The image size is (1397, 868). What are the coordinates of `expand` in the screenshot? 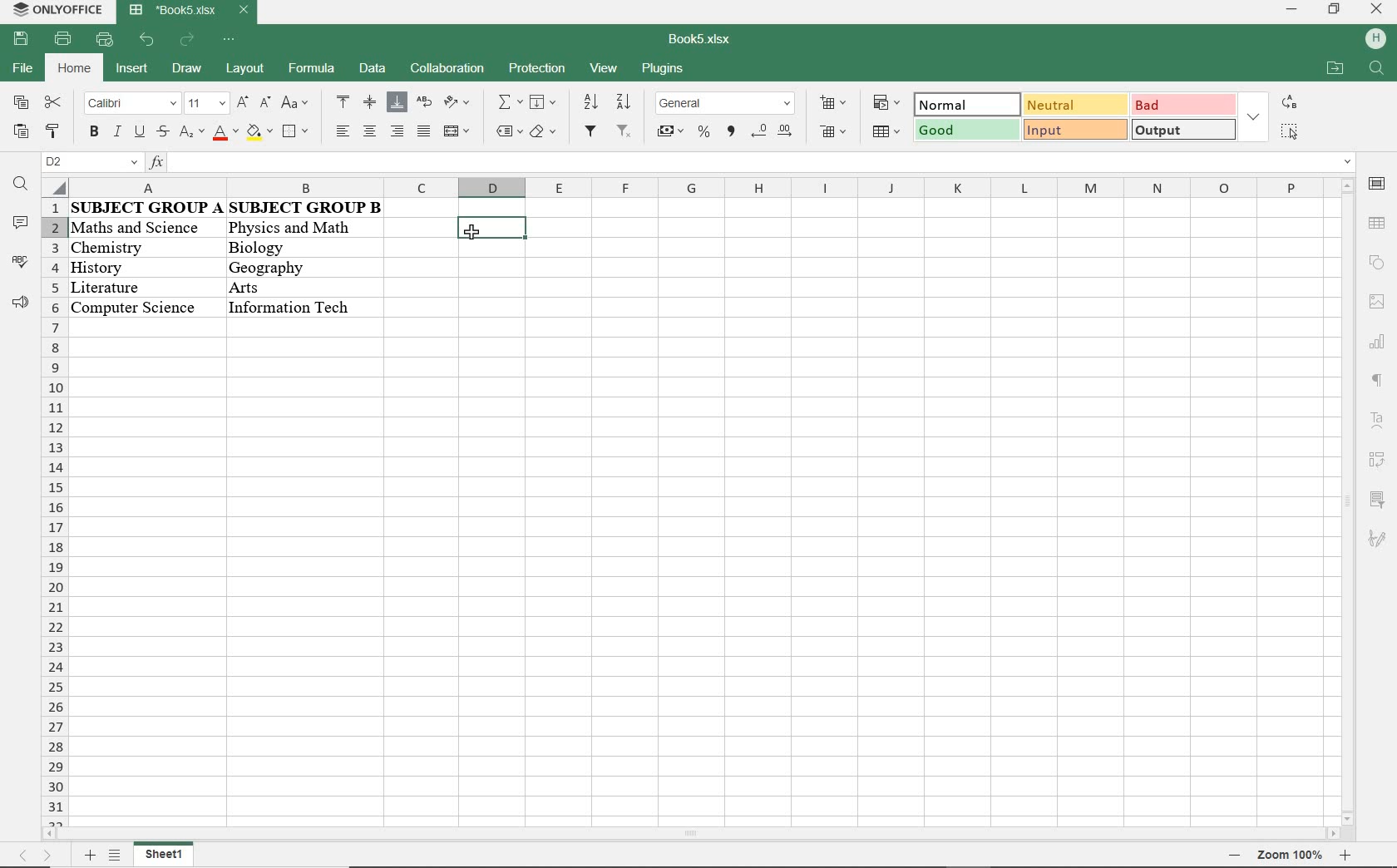 It's located at (1255, 118).